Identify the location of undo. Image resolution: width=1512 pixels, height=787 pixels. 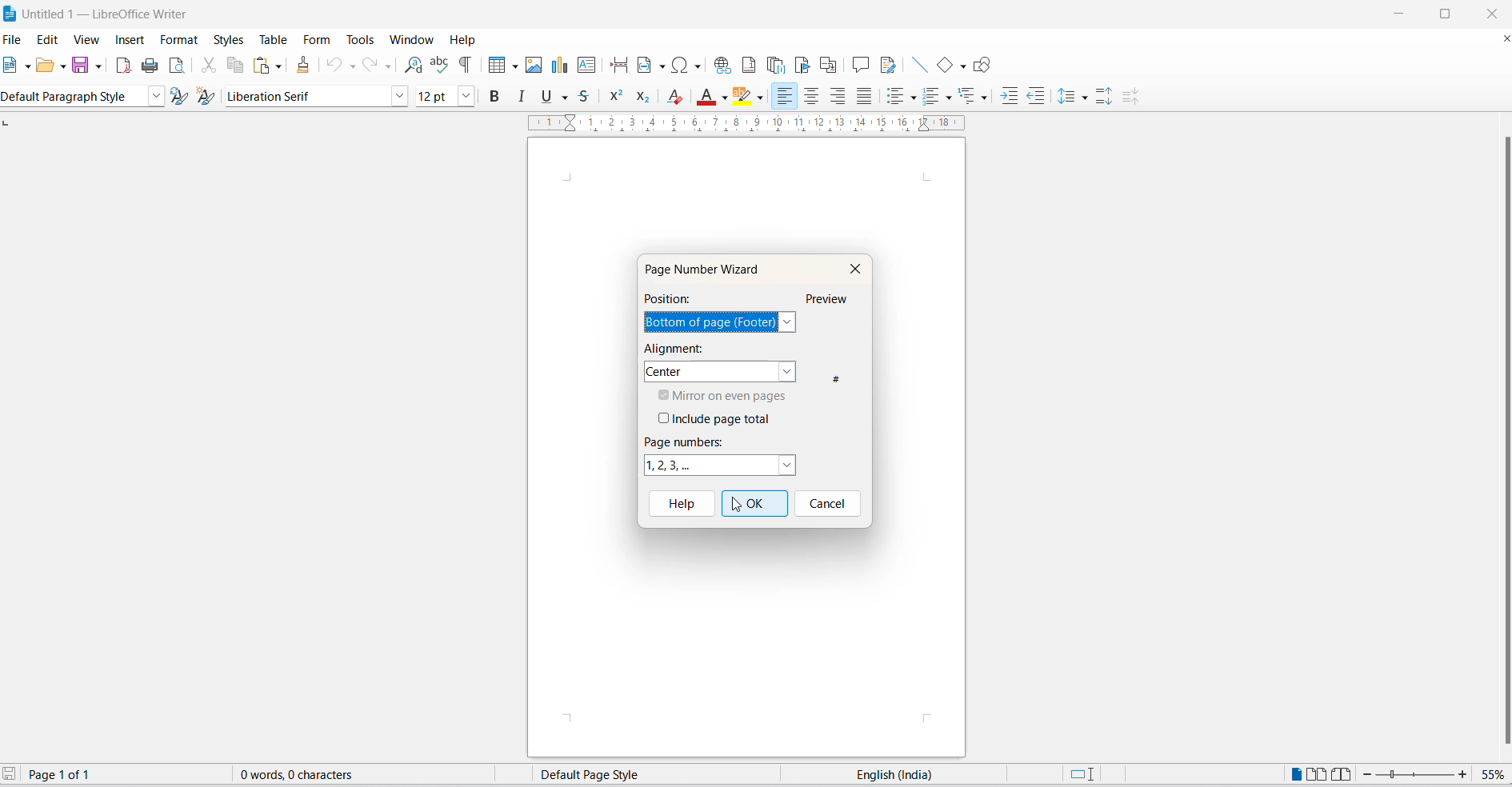
(335, 67).